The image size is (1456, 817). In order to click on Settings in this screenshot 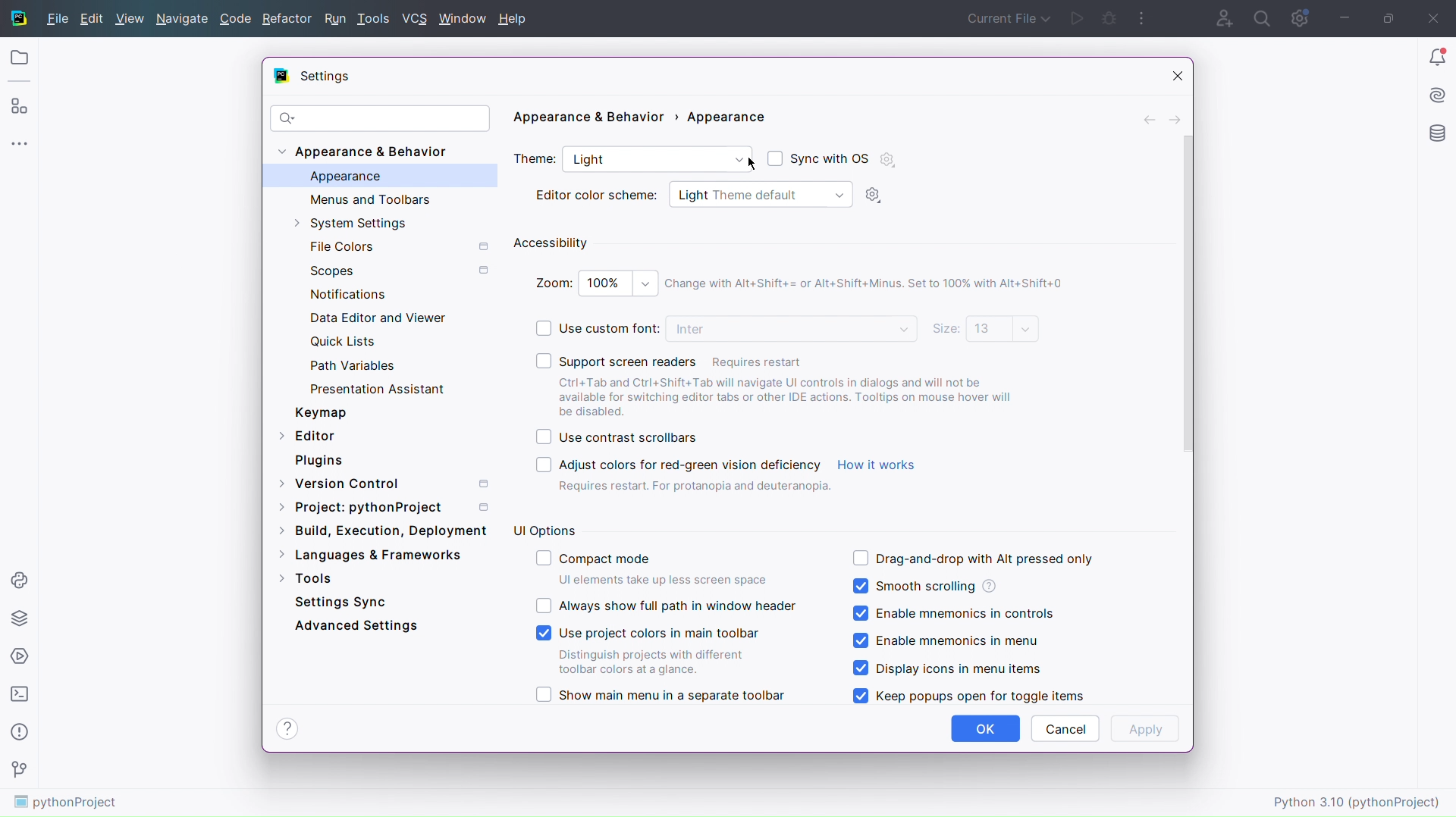, I will do `click(1299, 17)`.